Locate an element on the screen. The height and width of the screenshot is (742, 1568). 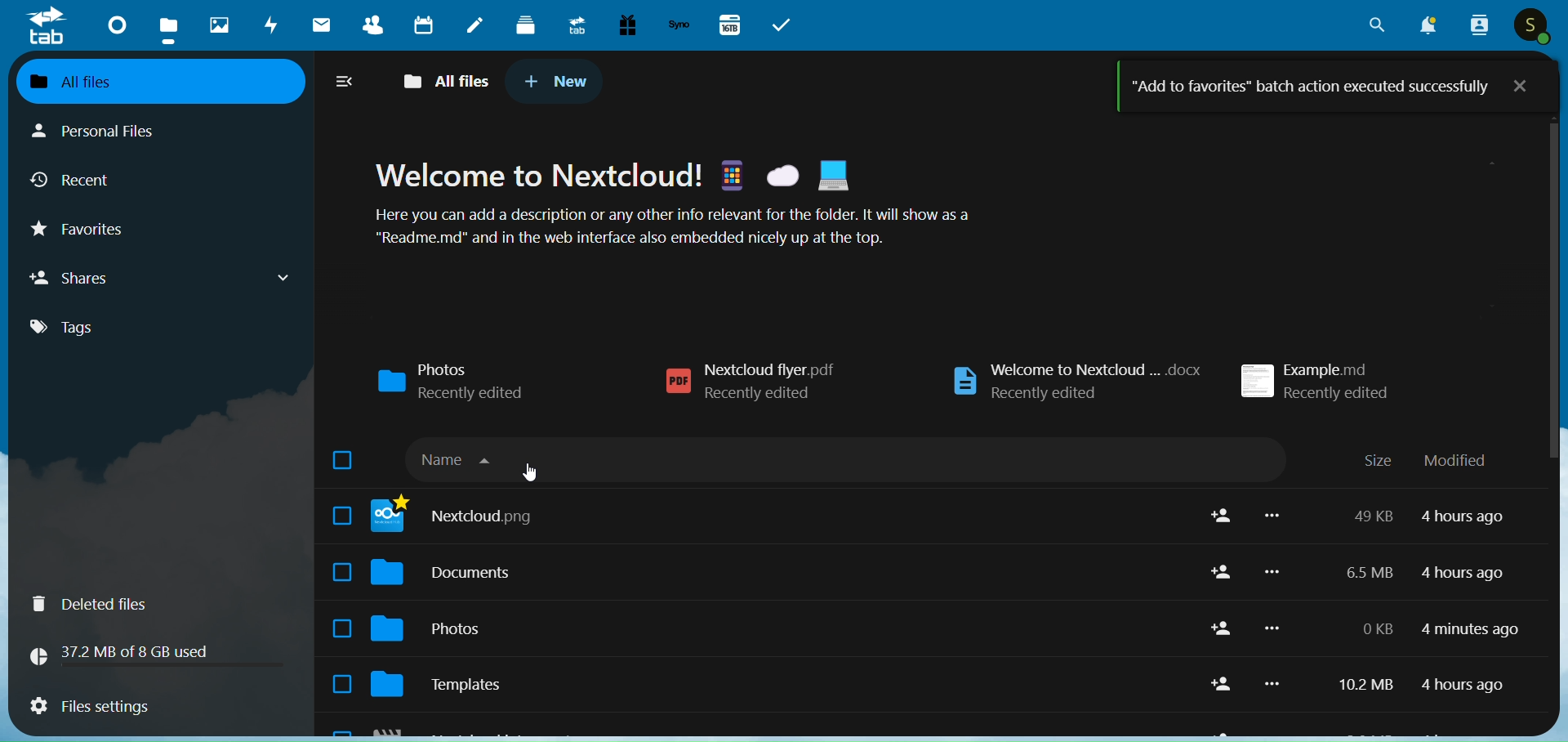
Click to select is located at coordinates (342, 515).